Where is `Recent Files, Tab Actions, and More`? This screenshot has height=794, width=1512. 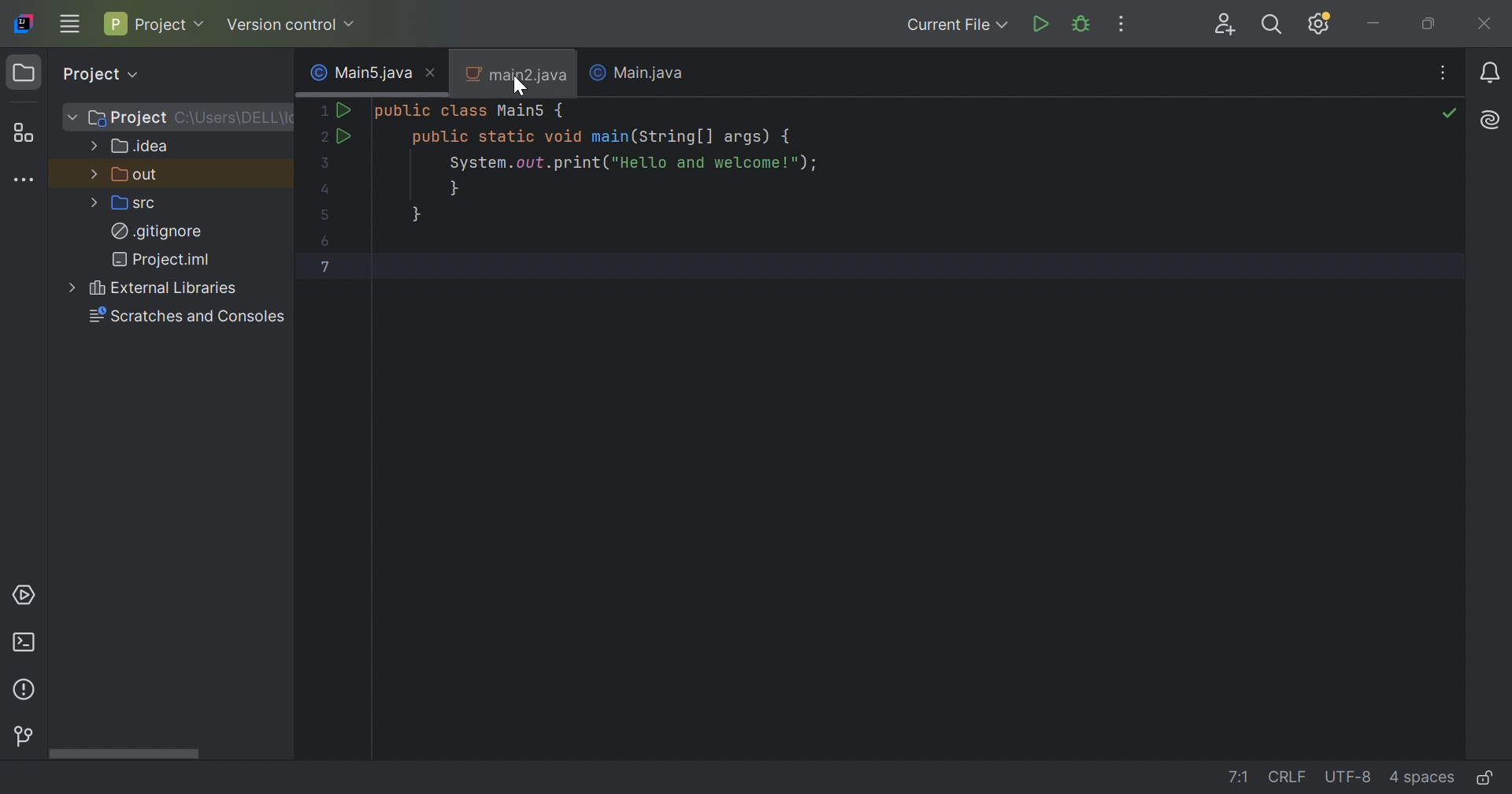
Recent Files, Tab Actions, and More is located at coordinates (1443, 71).